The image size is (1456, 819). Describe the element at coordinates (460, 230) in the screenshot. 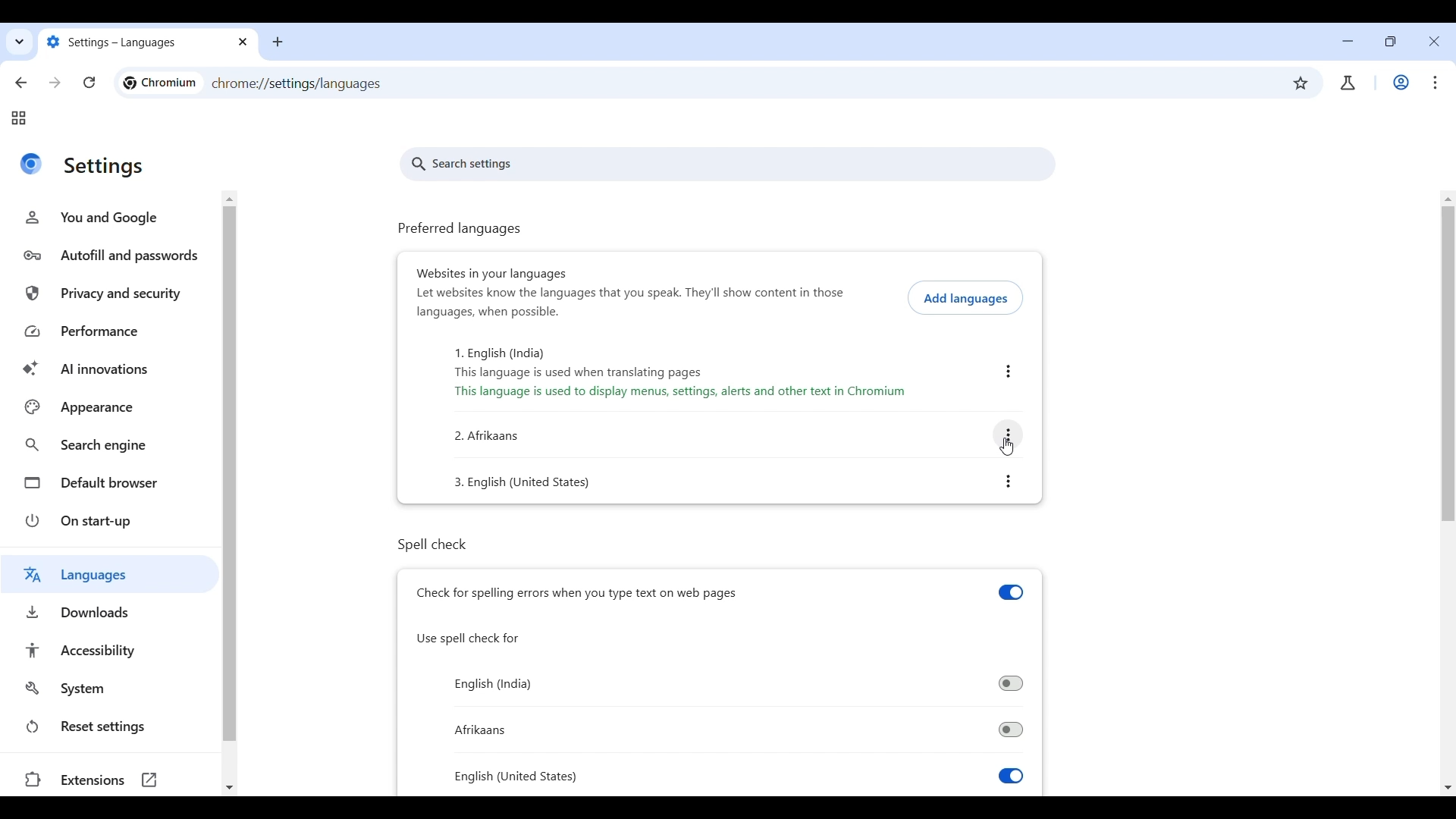

I see `preferred languages` at that location.